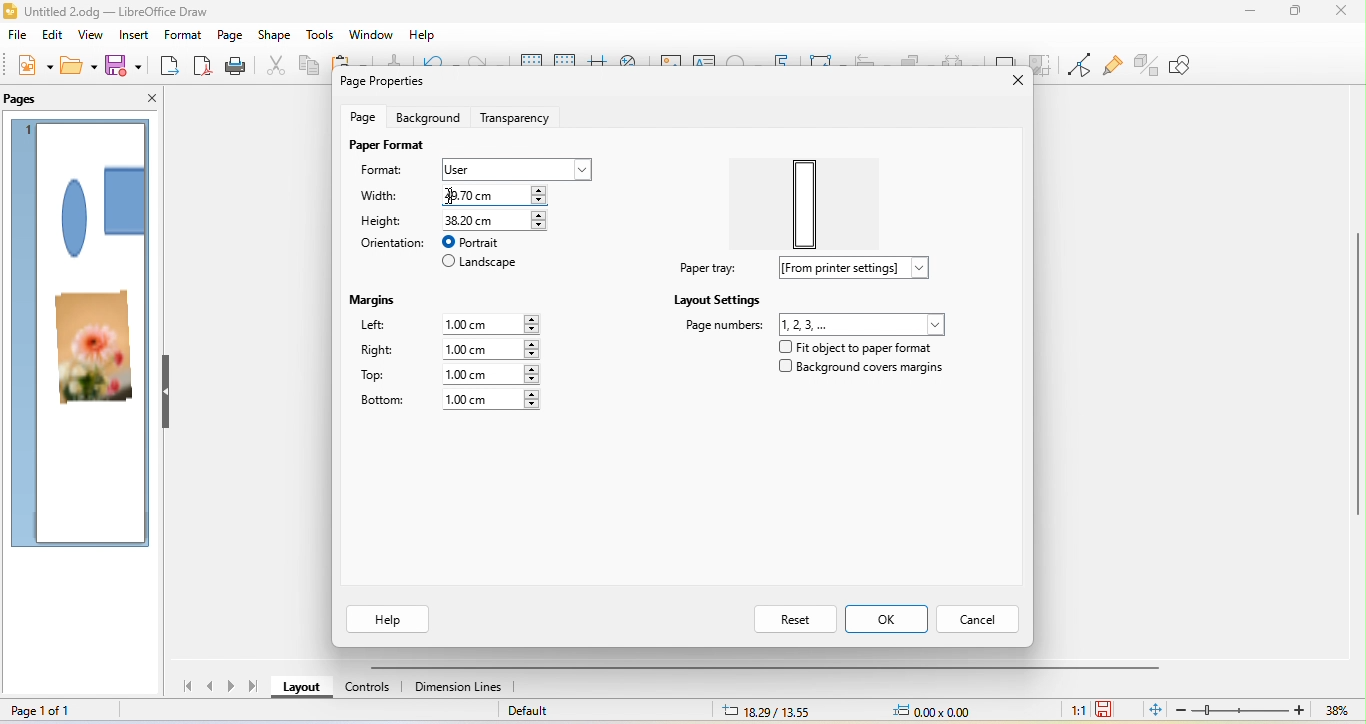 This screenshot has width=1366, height=724. Describe the element at coordinates (100, 209) in the screenshot. I see `shape` at that location.